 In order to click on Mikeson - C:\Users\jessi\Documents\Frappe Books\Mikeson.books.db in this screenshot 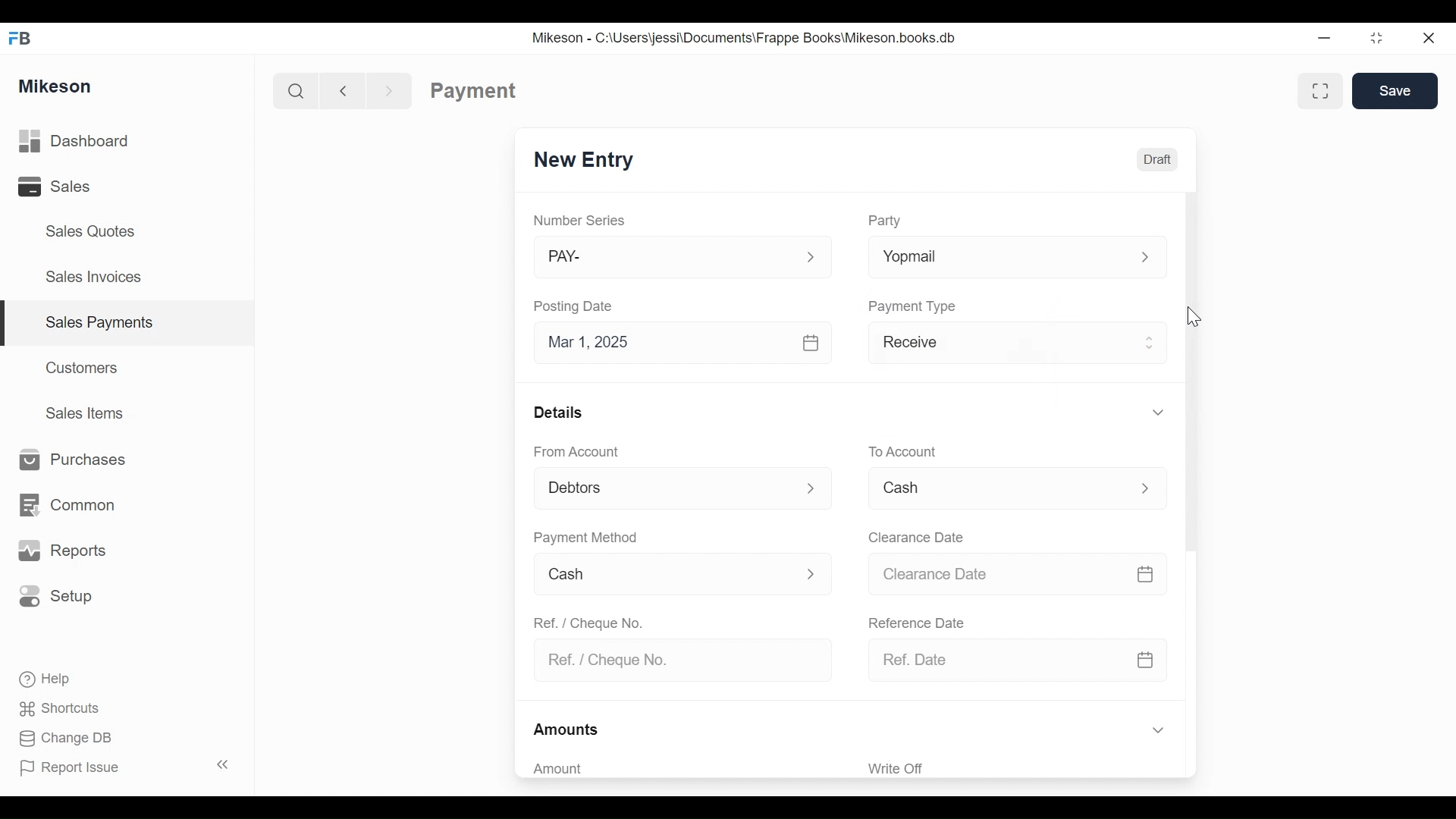, I will do `click(745, 38)`.